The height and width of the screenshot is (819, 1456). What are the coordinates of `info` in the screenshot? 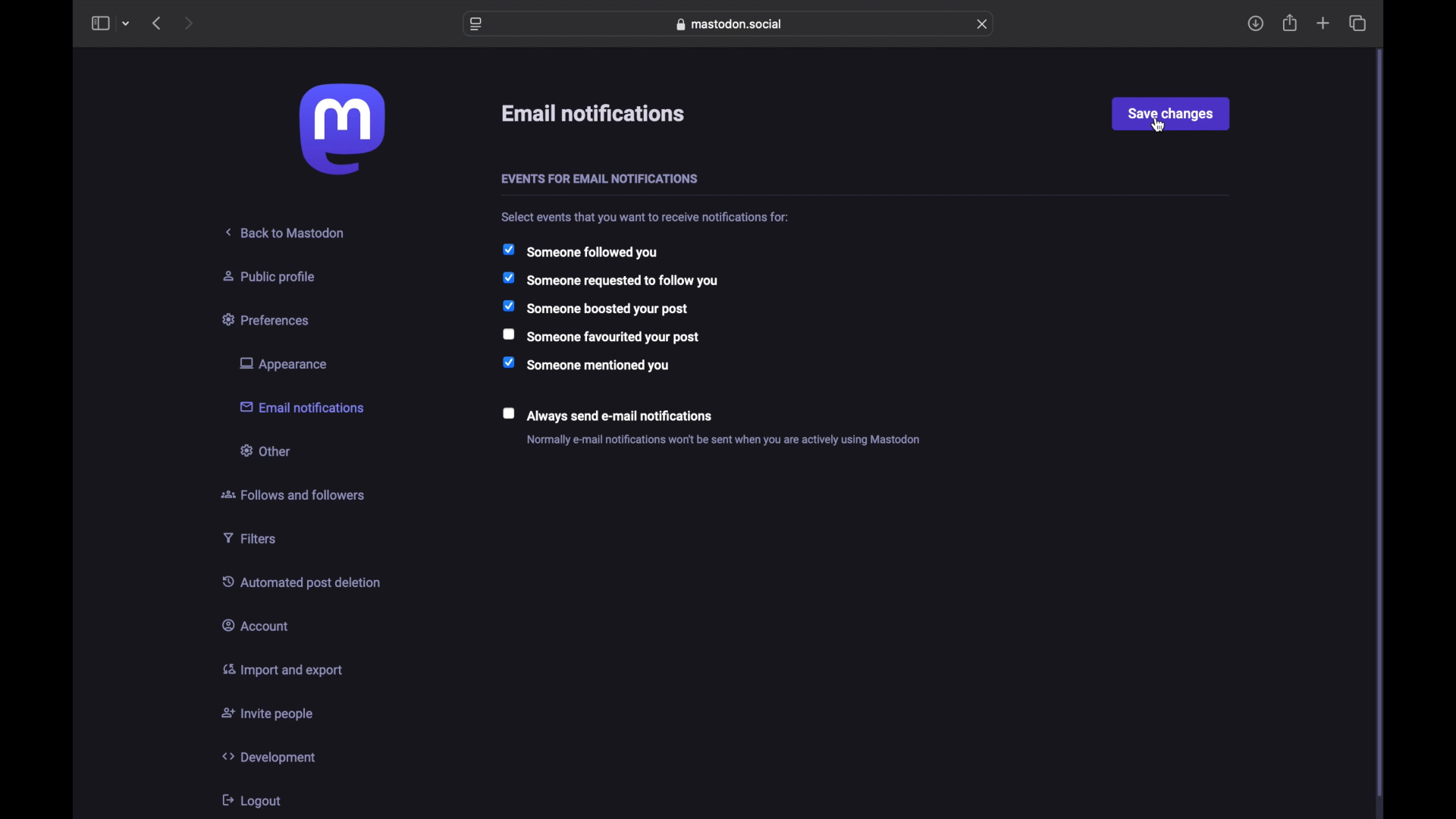 It's located at (647, 217).